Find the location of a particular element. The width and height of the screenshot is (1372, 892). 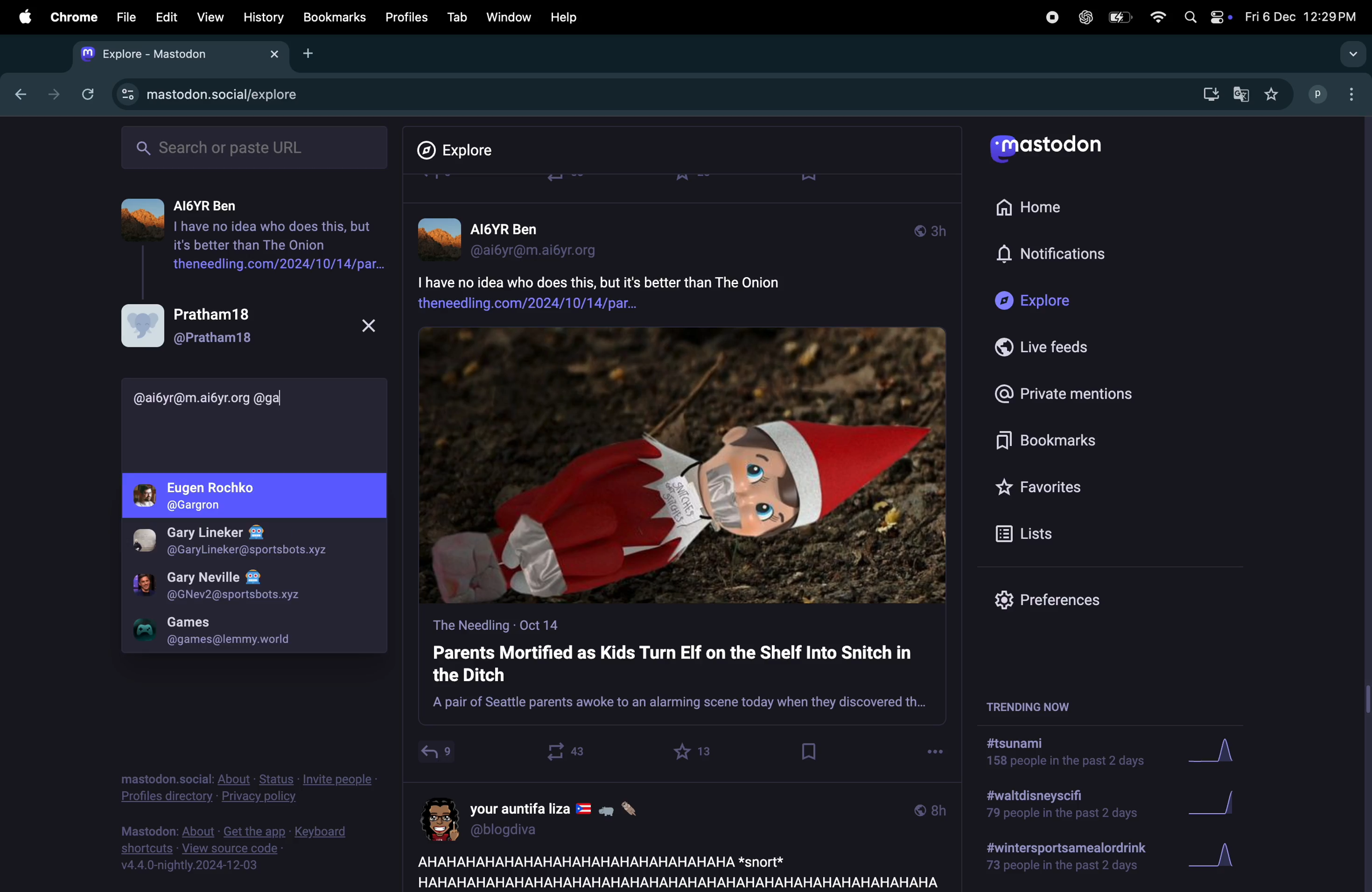

post description is located at coordinates (643, 290).